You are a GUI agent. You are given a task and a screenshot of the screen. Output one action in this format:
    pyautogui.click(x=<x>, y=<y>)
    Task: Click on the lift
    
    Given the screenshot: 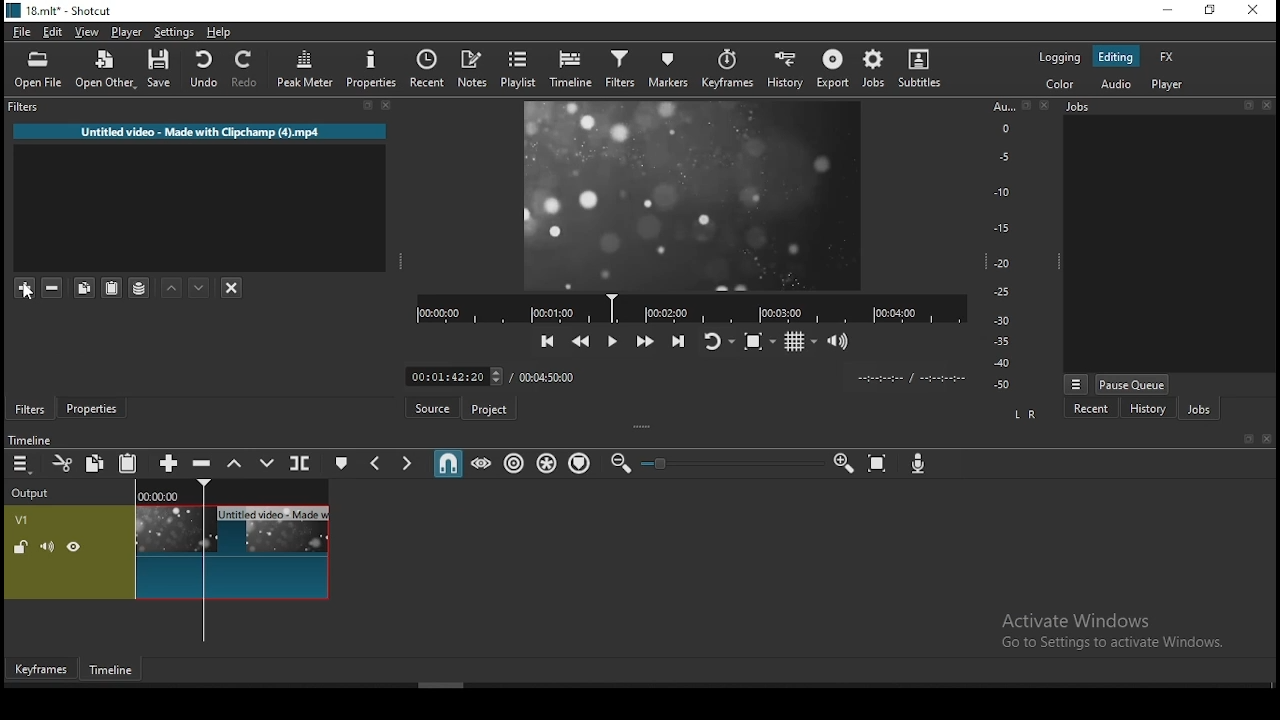 What is the action you would take?
    pyautogui.click(x=235, y=462)
    